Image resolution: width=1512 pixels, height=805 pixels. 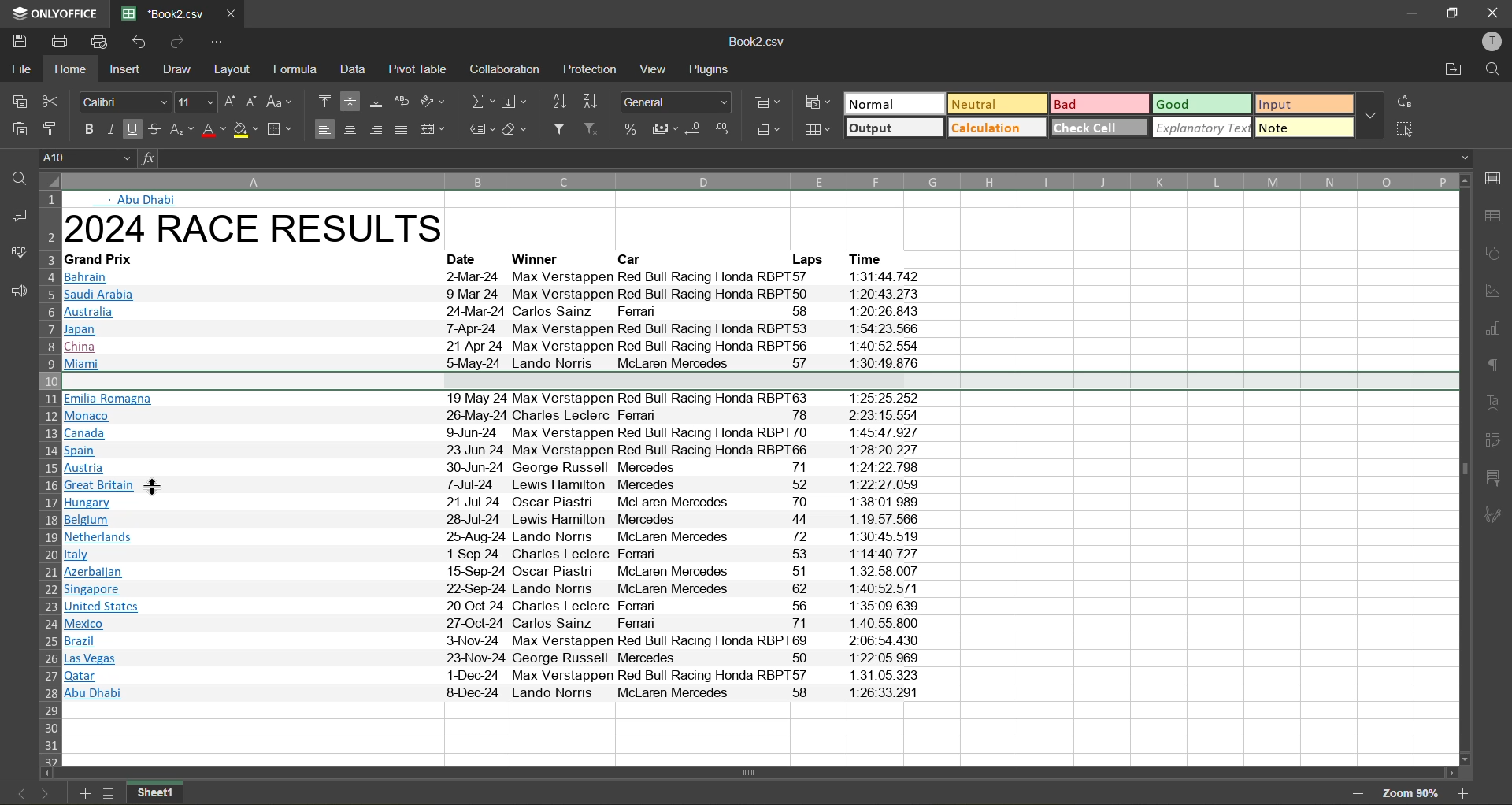 What do you see at coordinates (752, 773) in the screenshot?
I see `Horizontal scrollbar` at bounding box center [752, 773].